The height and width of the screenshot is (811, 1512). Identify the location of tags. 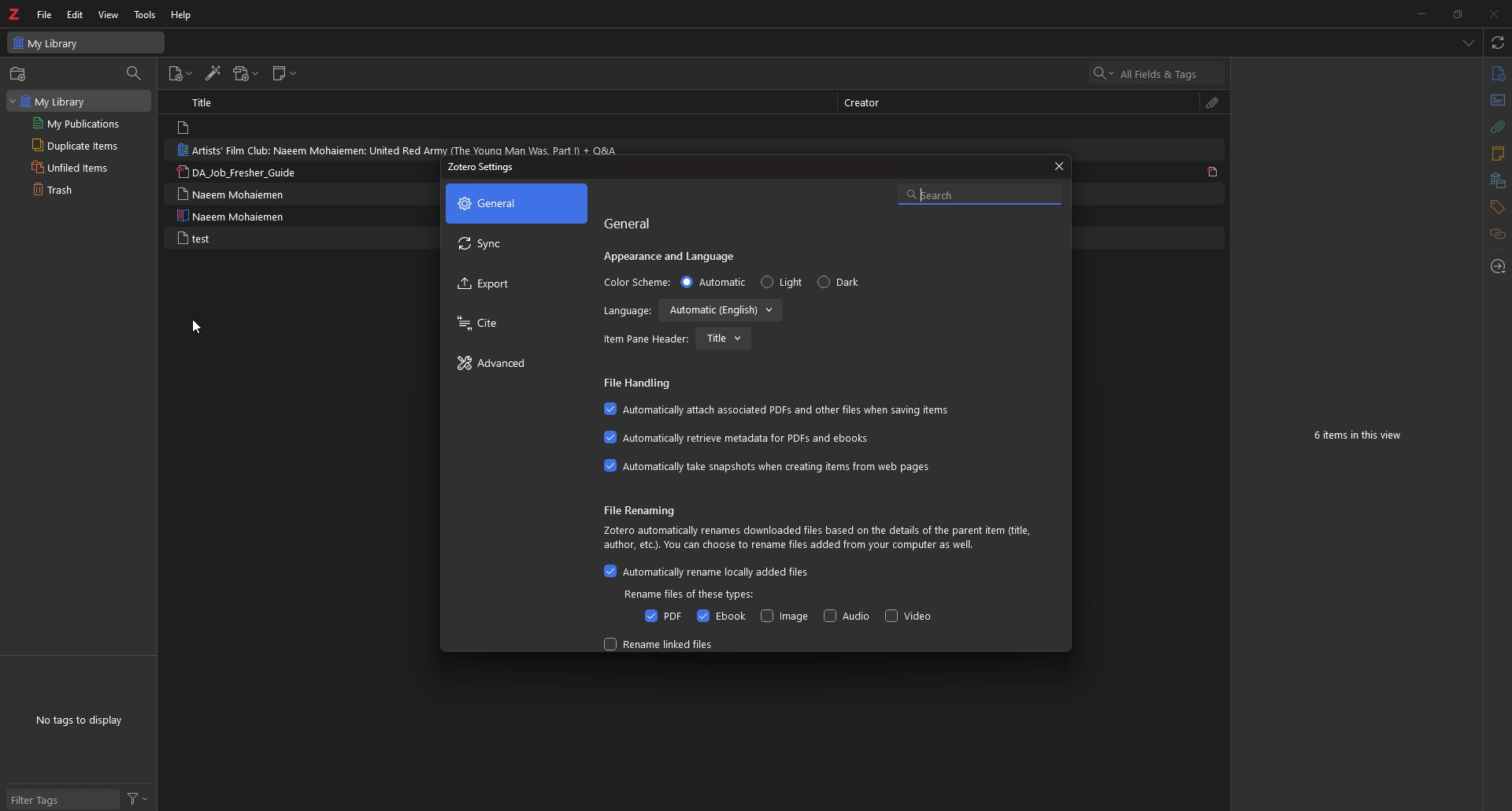
(1496, 207).